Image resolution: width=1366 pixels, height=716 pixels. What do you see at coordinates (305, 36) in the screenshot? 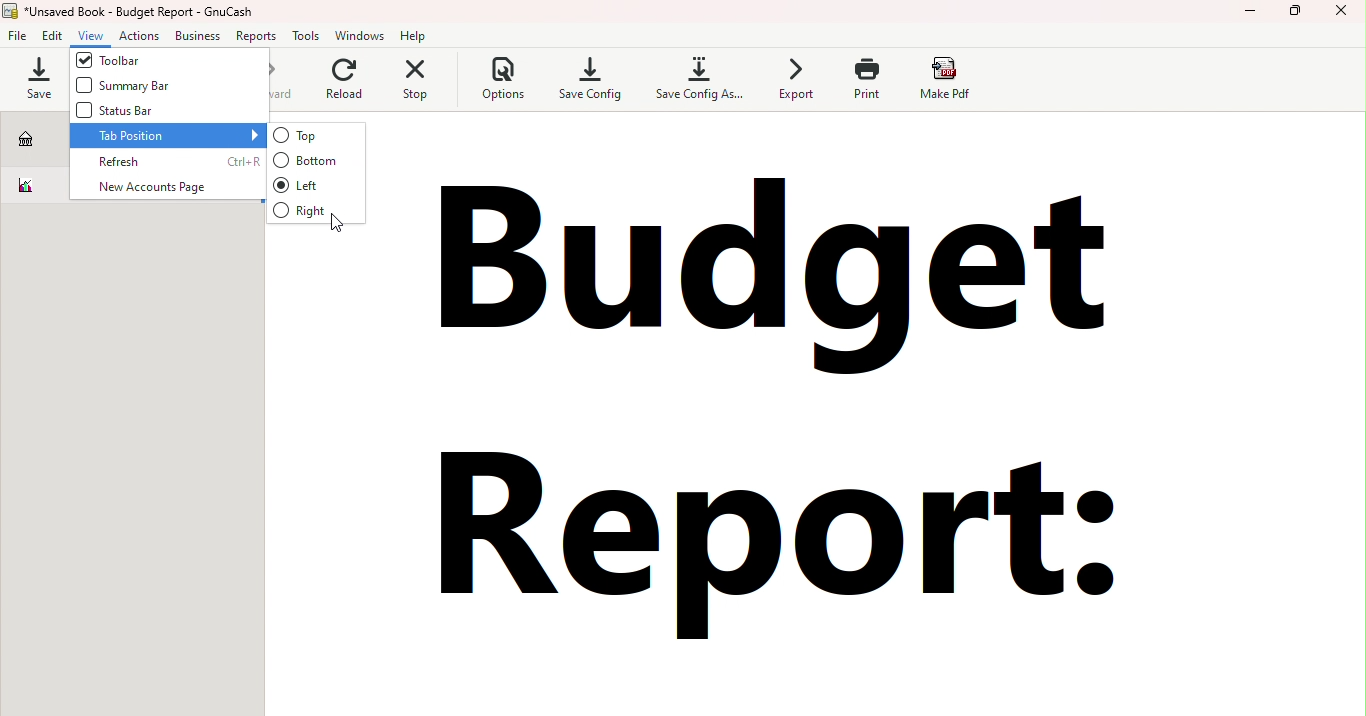
I see `Tools` at bounding box center [305, 36].